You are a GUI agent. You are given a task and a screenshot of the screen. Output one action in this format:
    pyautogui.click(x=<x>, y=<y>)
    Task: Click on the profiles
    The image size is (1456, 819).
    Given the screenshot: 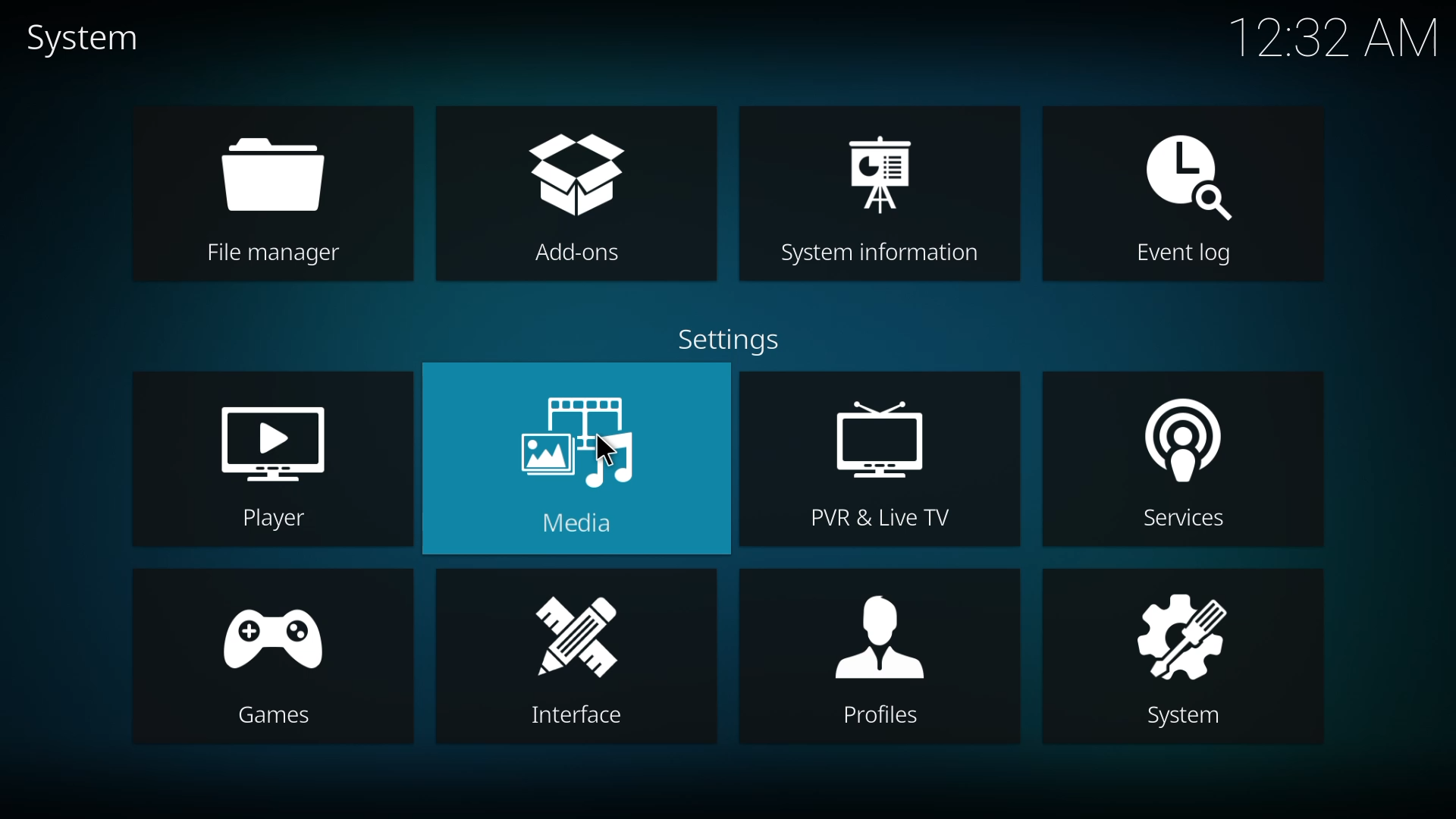 What is the action you would take?
    pyautogui.click(x=874, y=657)
    